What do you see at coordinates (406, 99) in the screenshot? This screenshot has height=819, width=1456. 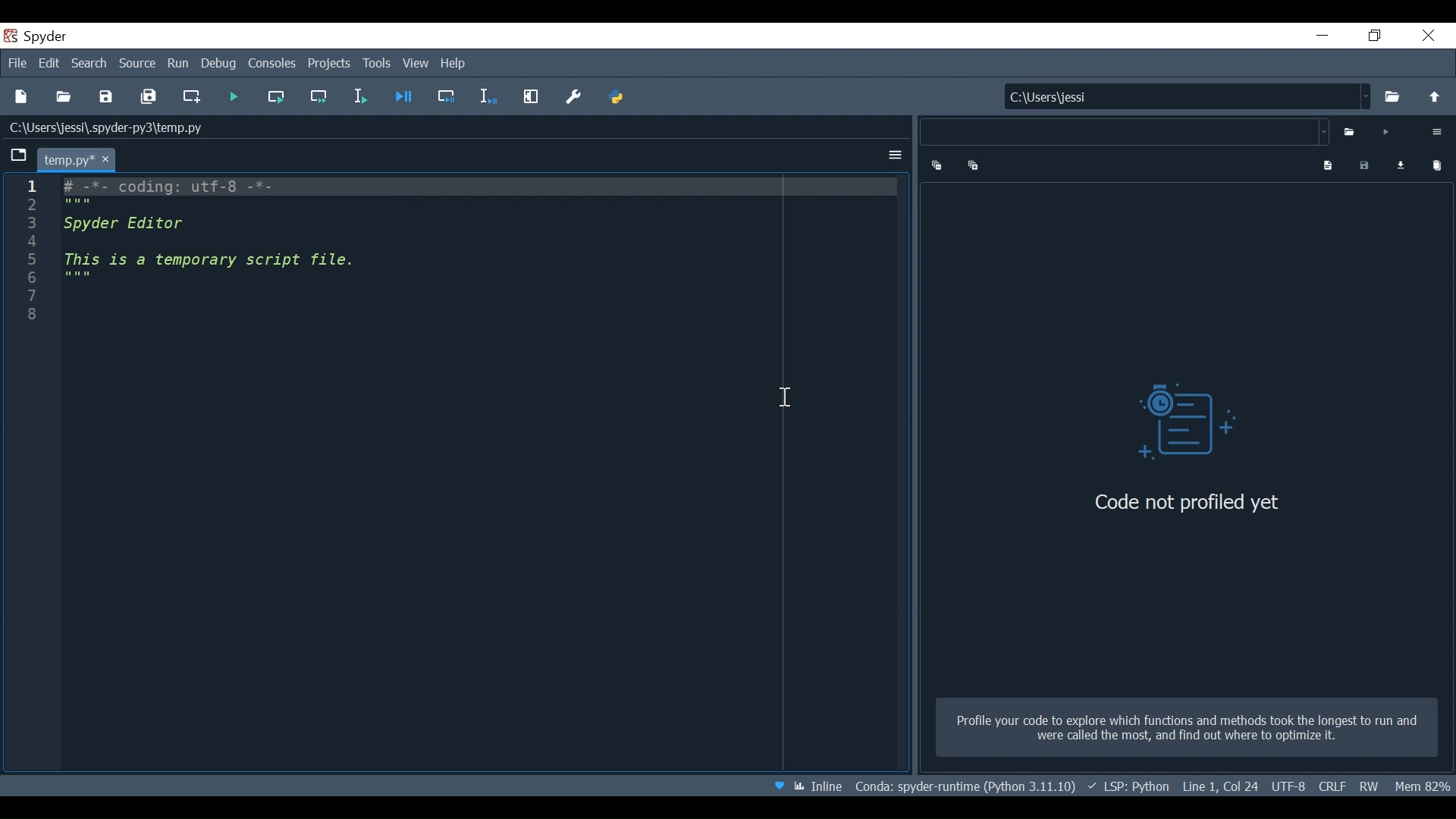 I see `Debug file` at bounding box center [406, 99].